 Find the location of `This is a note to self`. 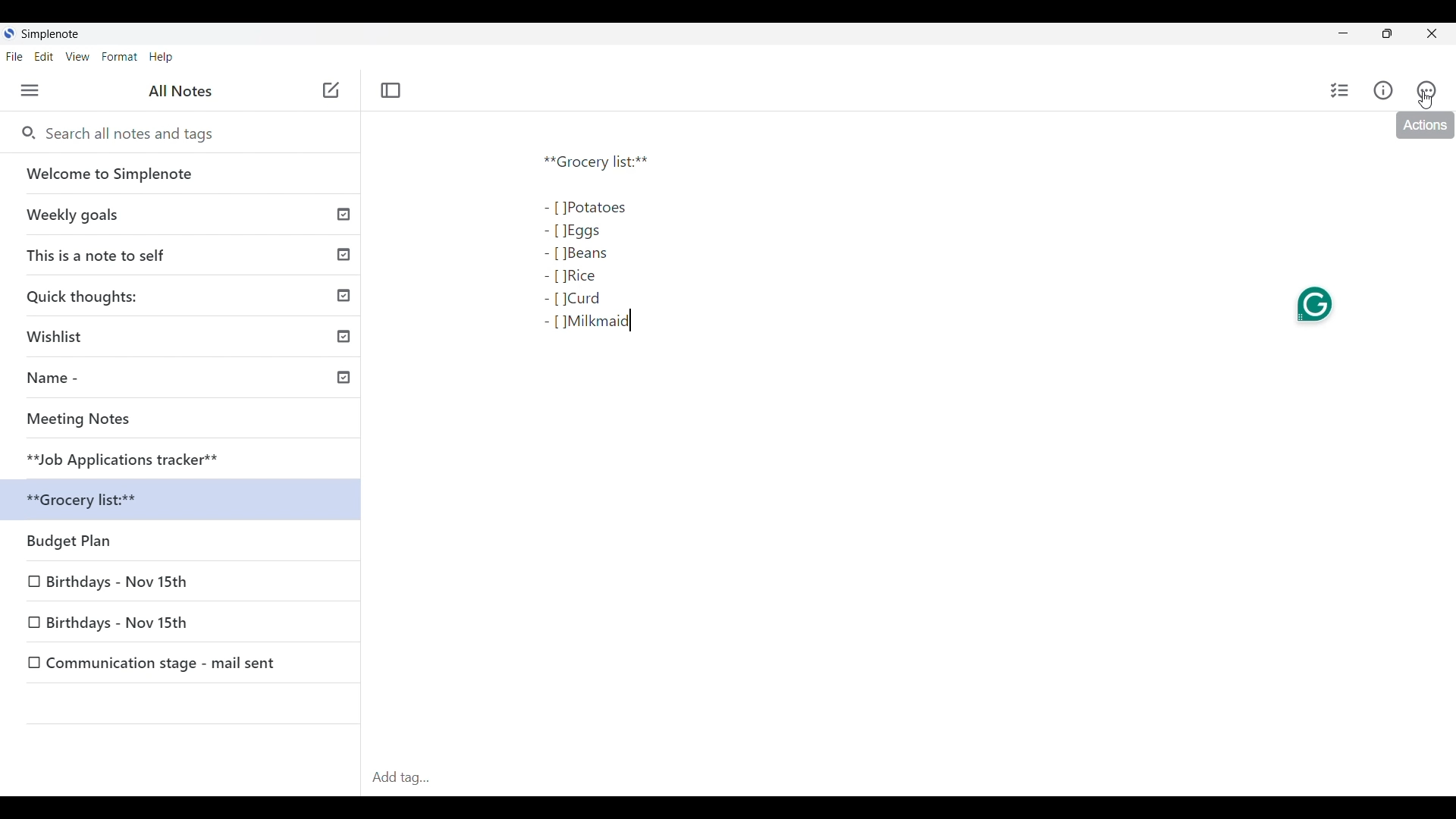

This is a note to self is located at coordinates (186, 256).